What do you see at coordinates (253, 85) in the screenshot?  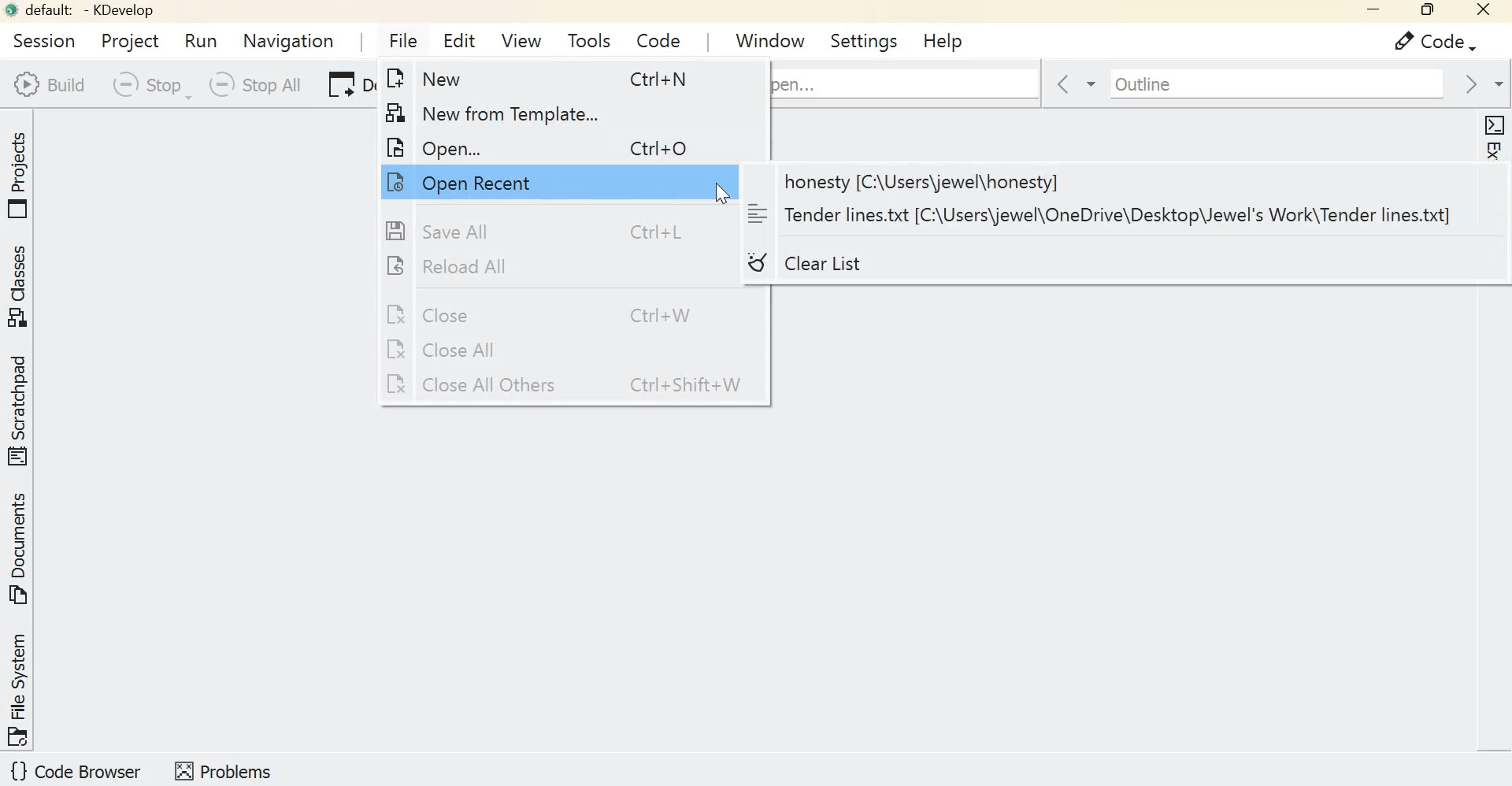 I see `Stop all currently running jobs` at bounding box center [253, 85].